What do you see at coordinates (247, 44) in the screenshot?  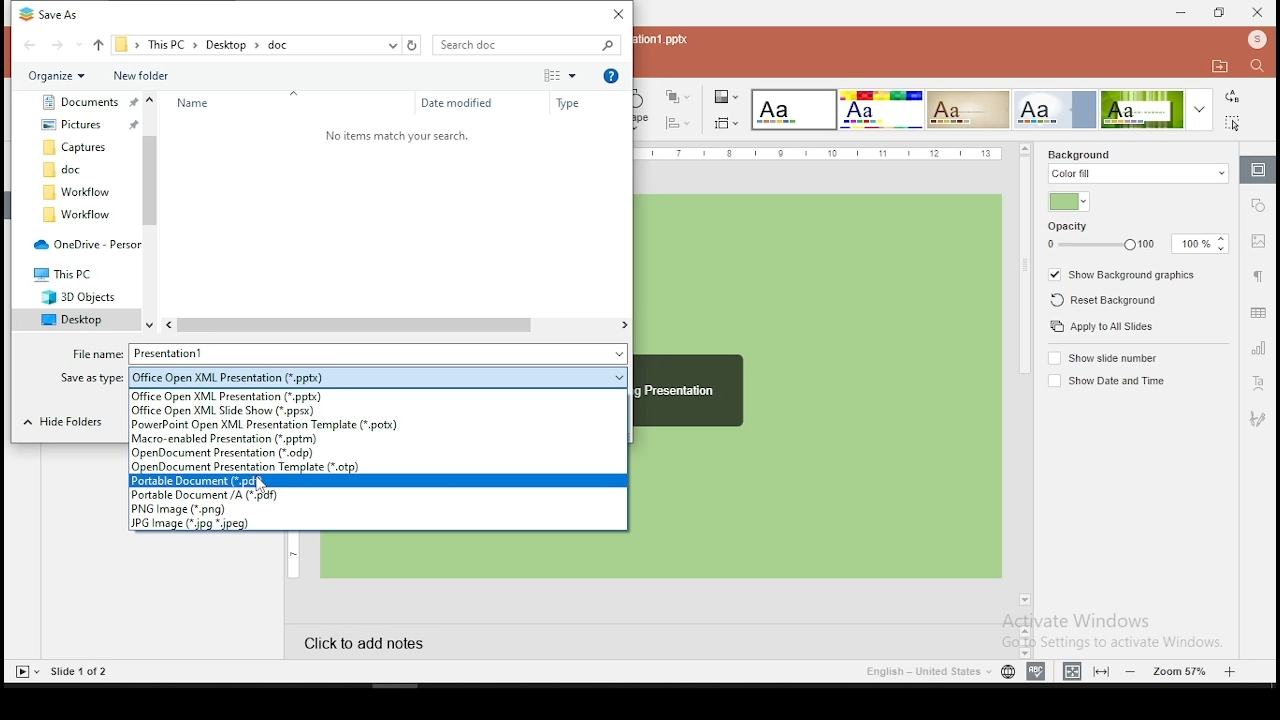 I see `saving path` at bounding box center [247, 44].